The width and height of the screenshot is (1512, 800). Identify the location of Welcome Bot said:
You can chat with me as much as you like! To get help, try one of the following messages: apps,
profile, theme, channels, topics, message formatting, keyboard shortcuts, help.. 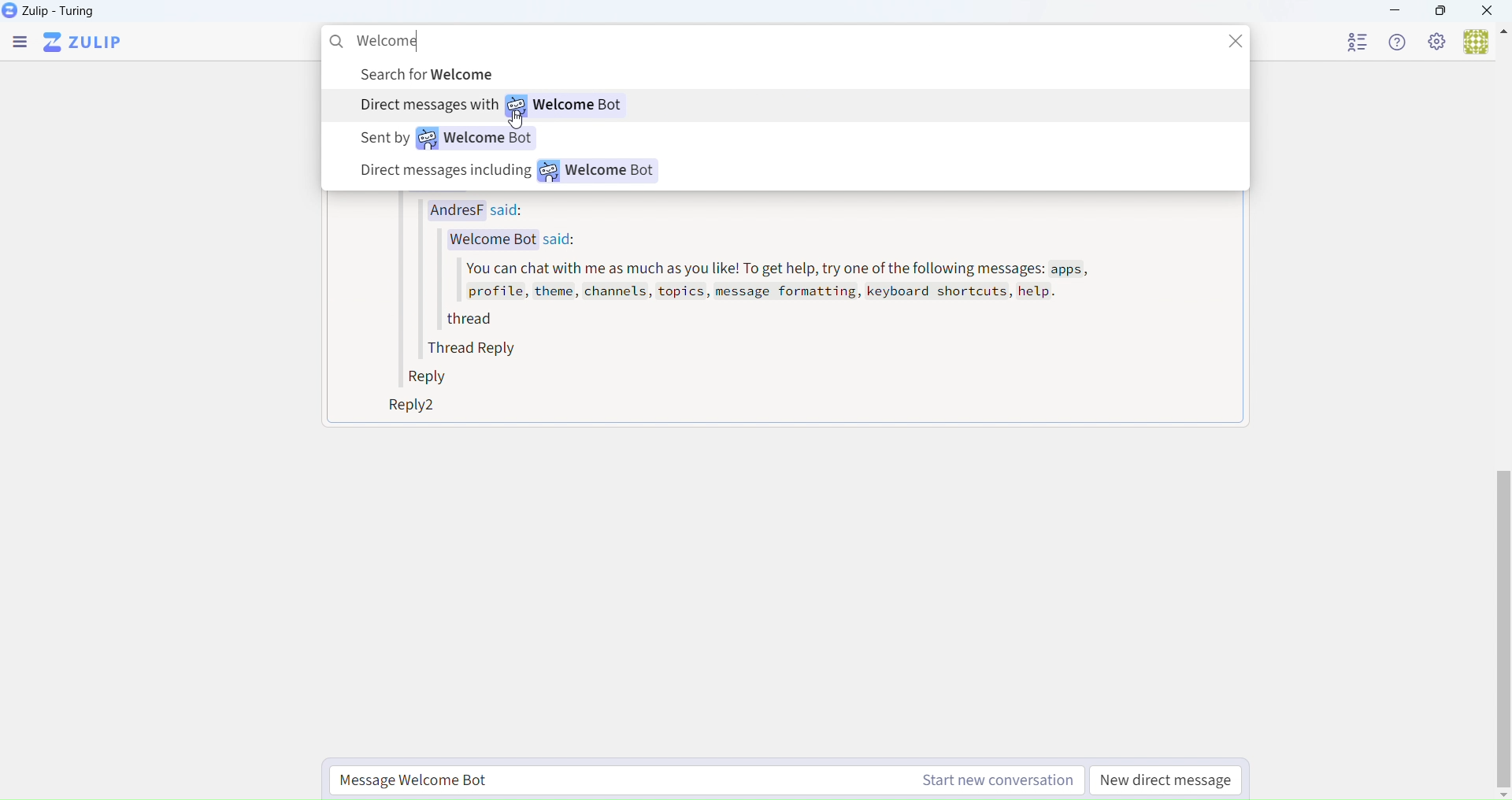
(765, 272).